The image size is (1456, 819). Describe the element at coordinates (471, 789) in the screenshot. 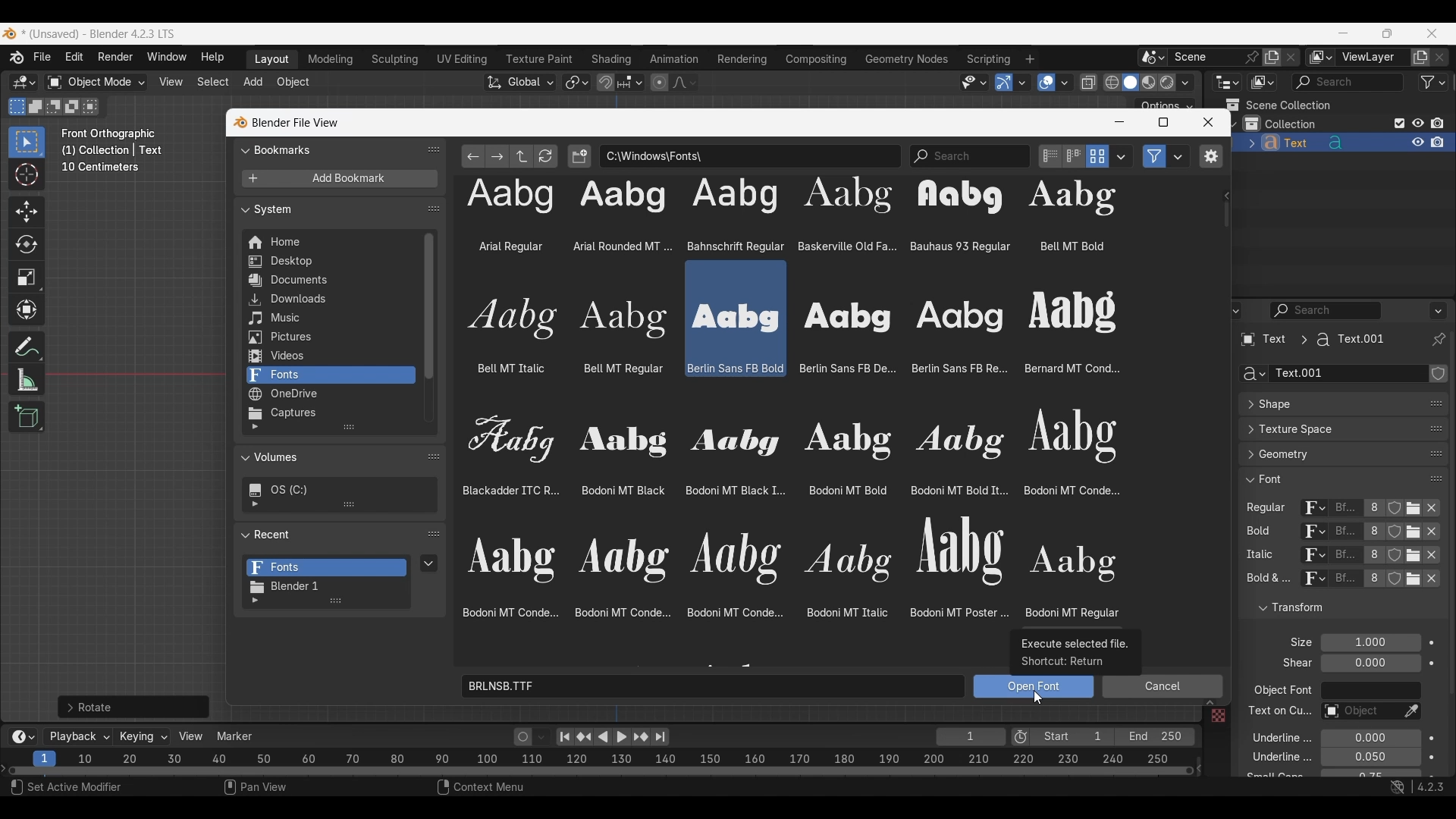

I see `content menu` at that location.